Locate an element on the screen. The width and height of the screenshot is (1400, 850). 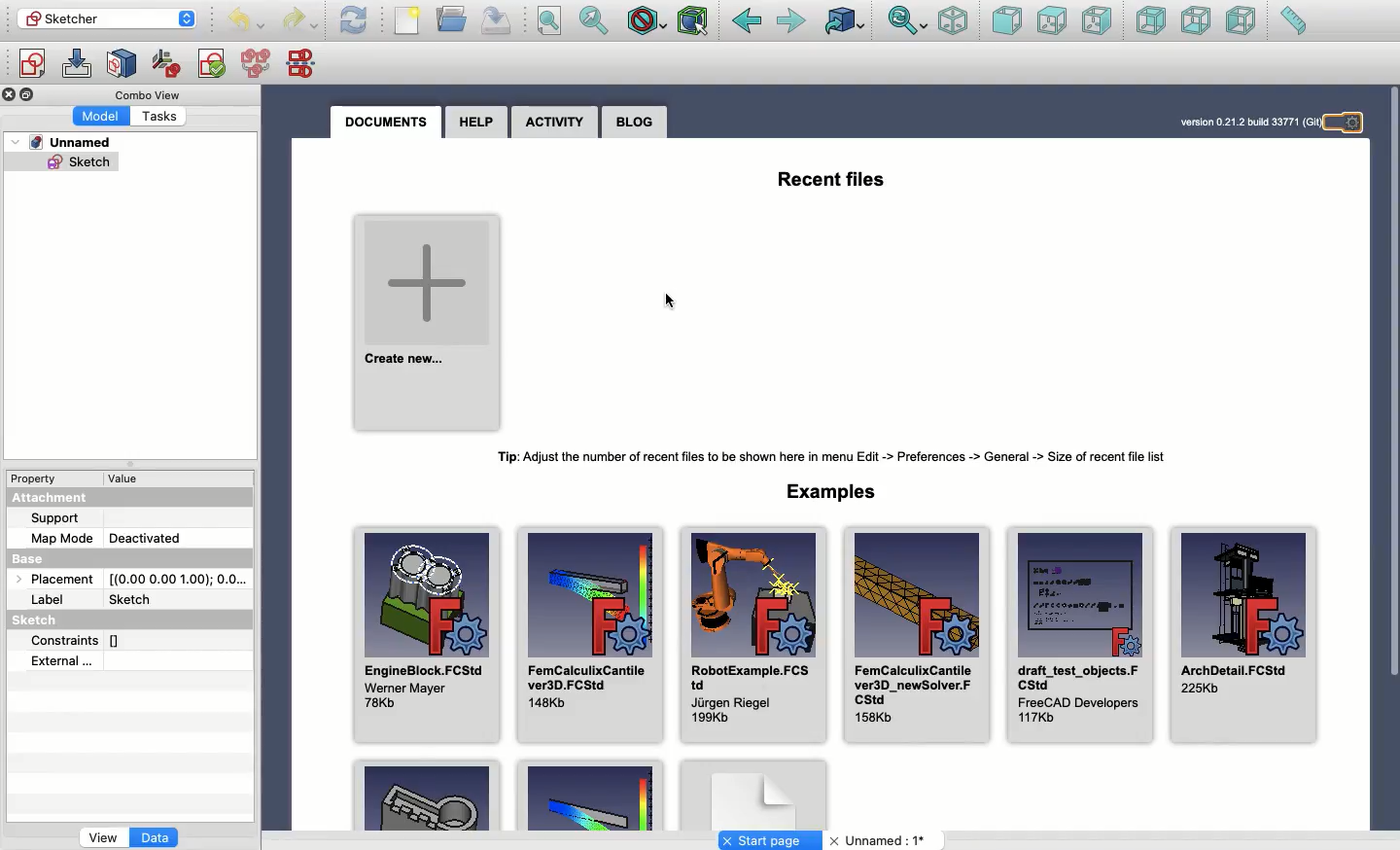
Linked to object is located at coordinates (843, 22).